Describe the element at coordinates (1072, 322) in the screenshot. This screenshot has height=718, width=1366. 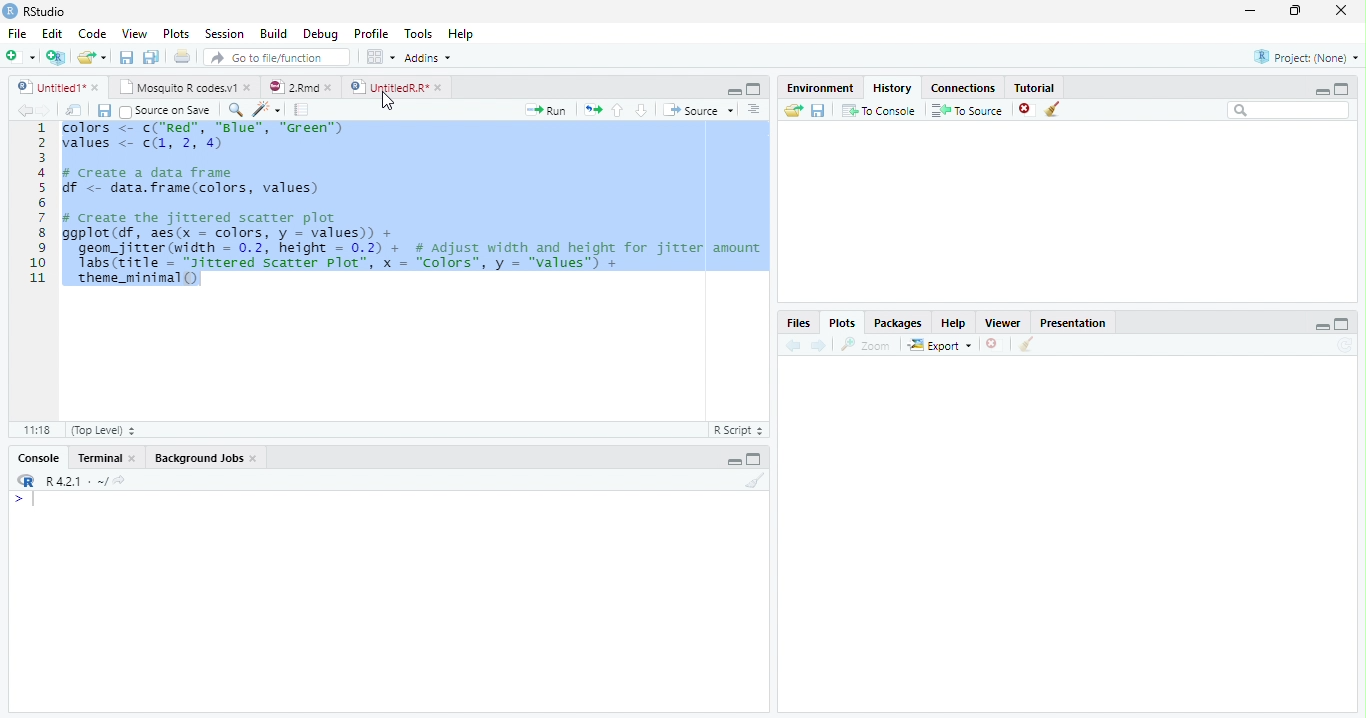
I see `Presentation` at that location.